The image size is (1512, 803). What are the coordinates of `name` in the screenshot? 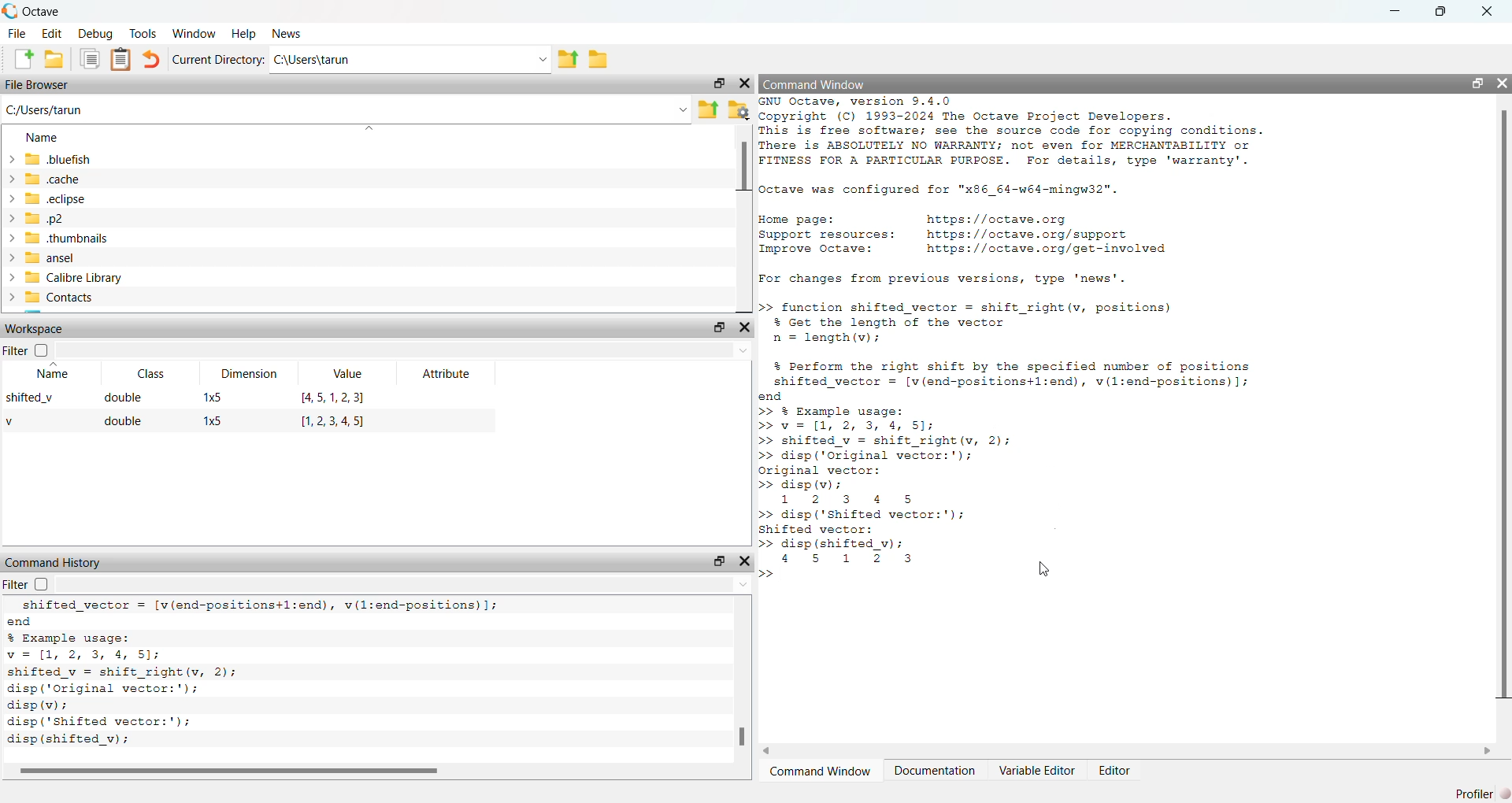 It's located at (50, 376).